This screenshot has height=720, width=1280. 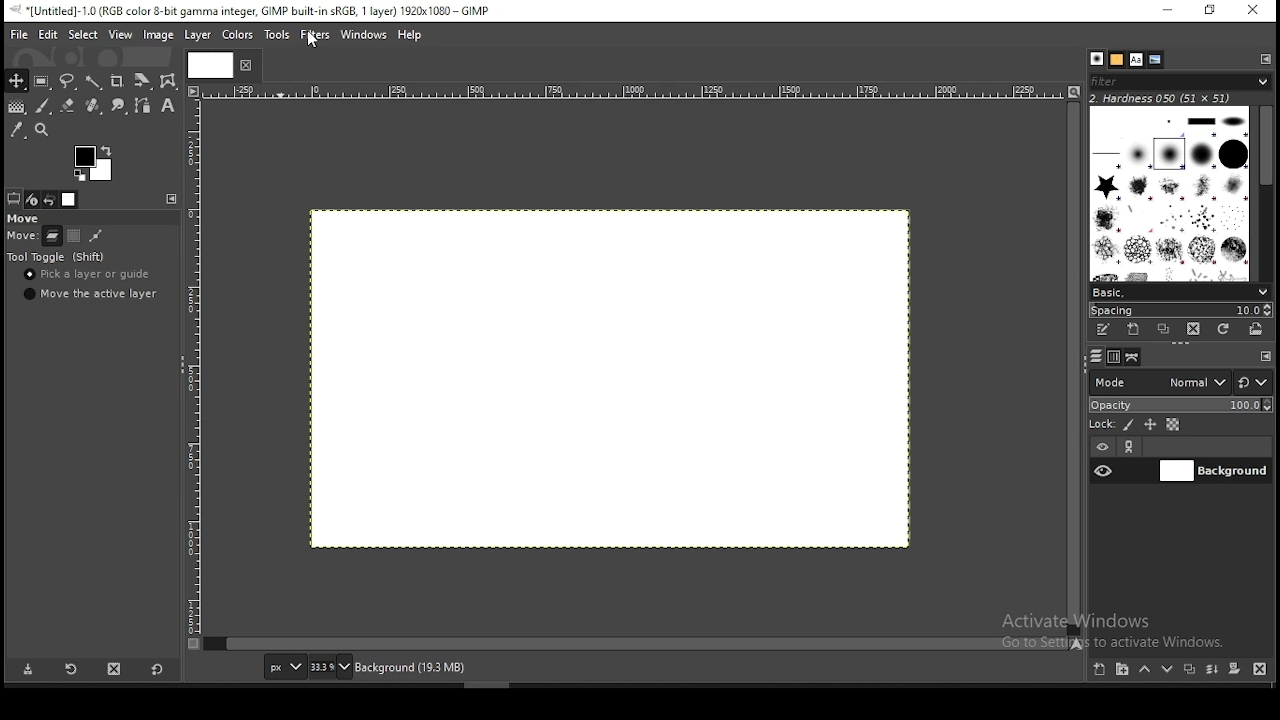 What do you see at coordinates (1170, 12) in the screenshot?
I see `minimize` at bounding box center [1170, 12].